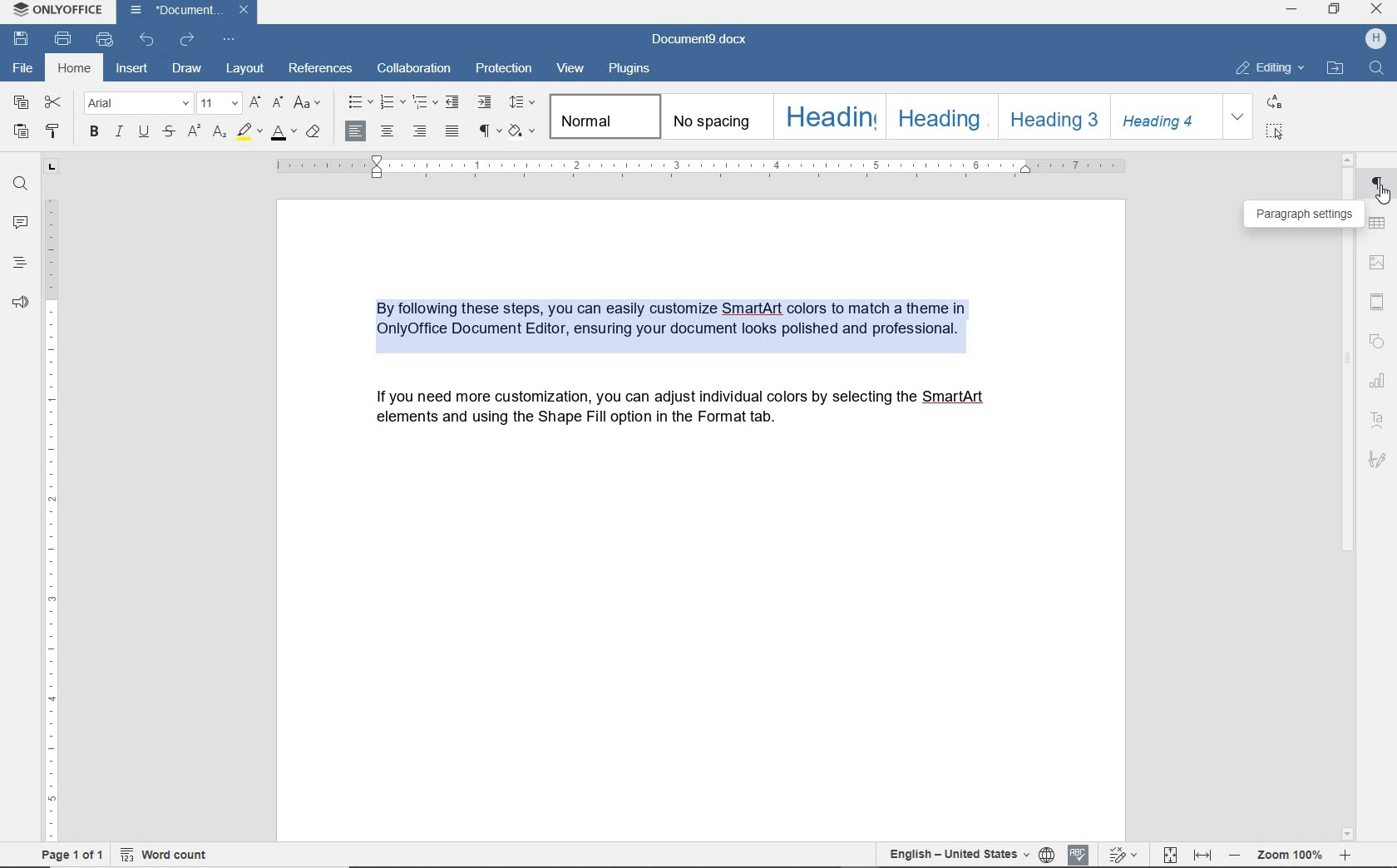  What do you see at coordinates (20, 184) in the screenshot?
I see `find` at bounding box center [20, 184].